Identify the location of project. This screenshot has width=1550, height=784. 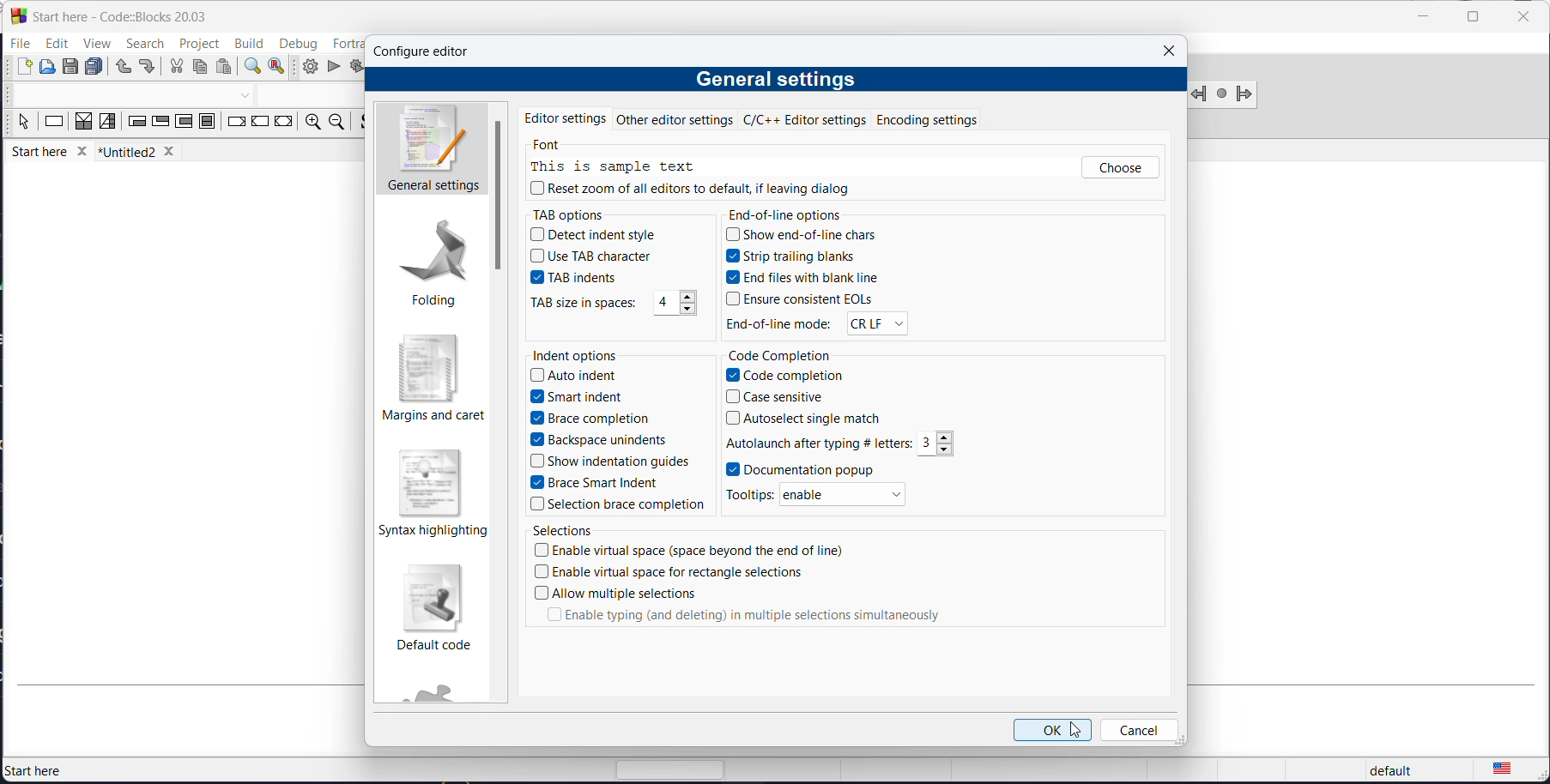
(200, 41).